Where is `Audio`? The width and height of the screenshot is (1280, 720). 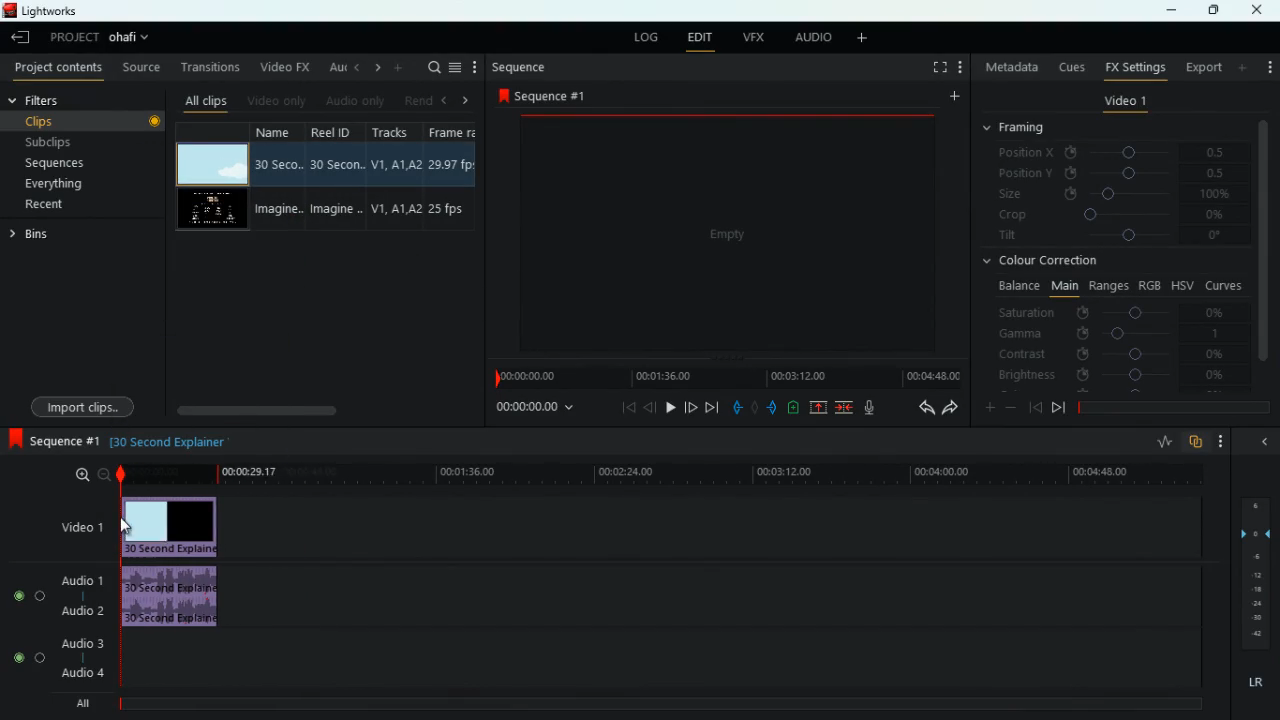 Audio is located at coordinates (24, 658).